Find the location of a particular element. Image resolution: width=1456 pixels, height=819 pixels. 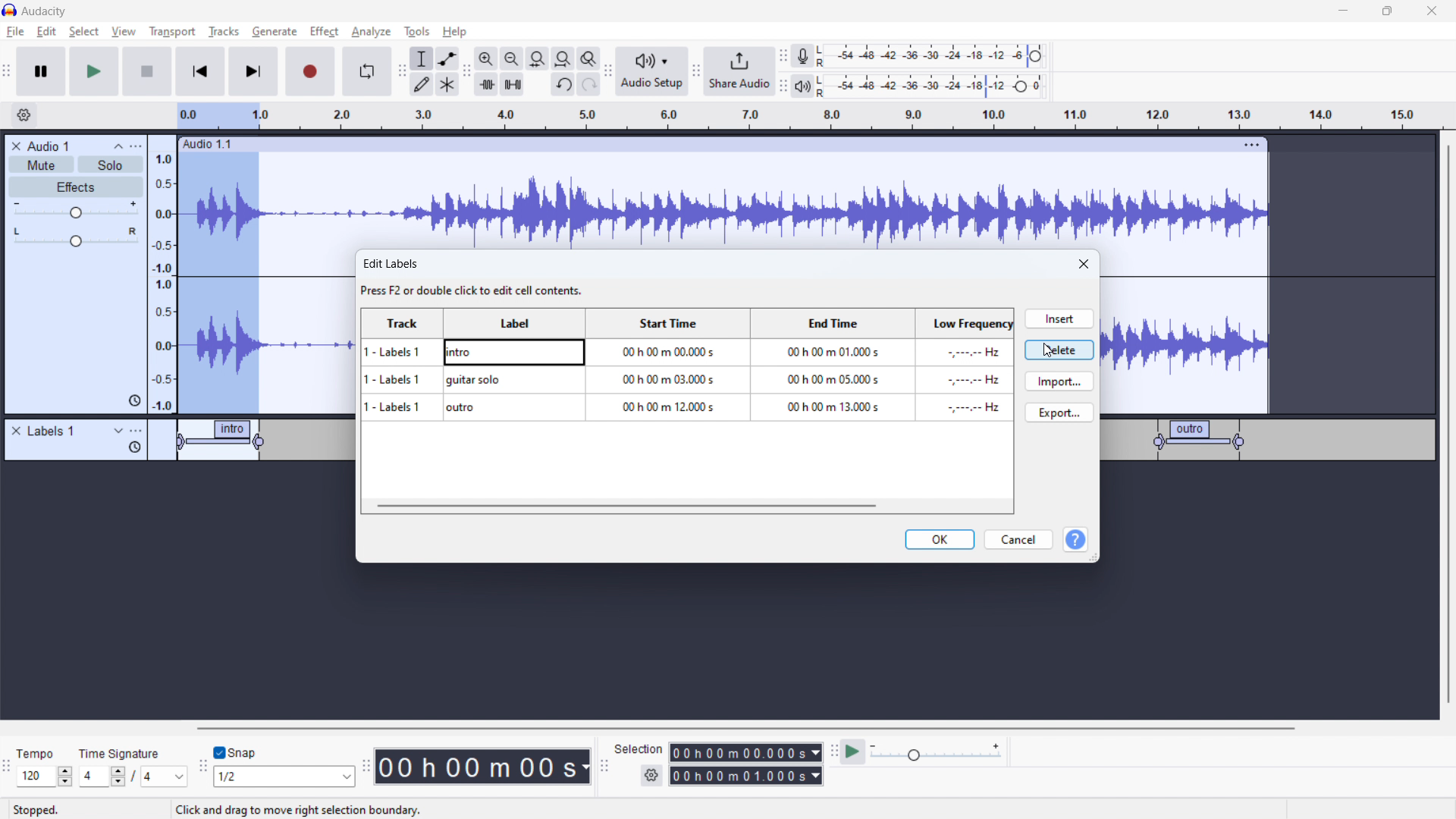

zoom out is located at coordinates (511, 58).